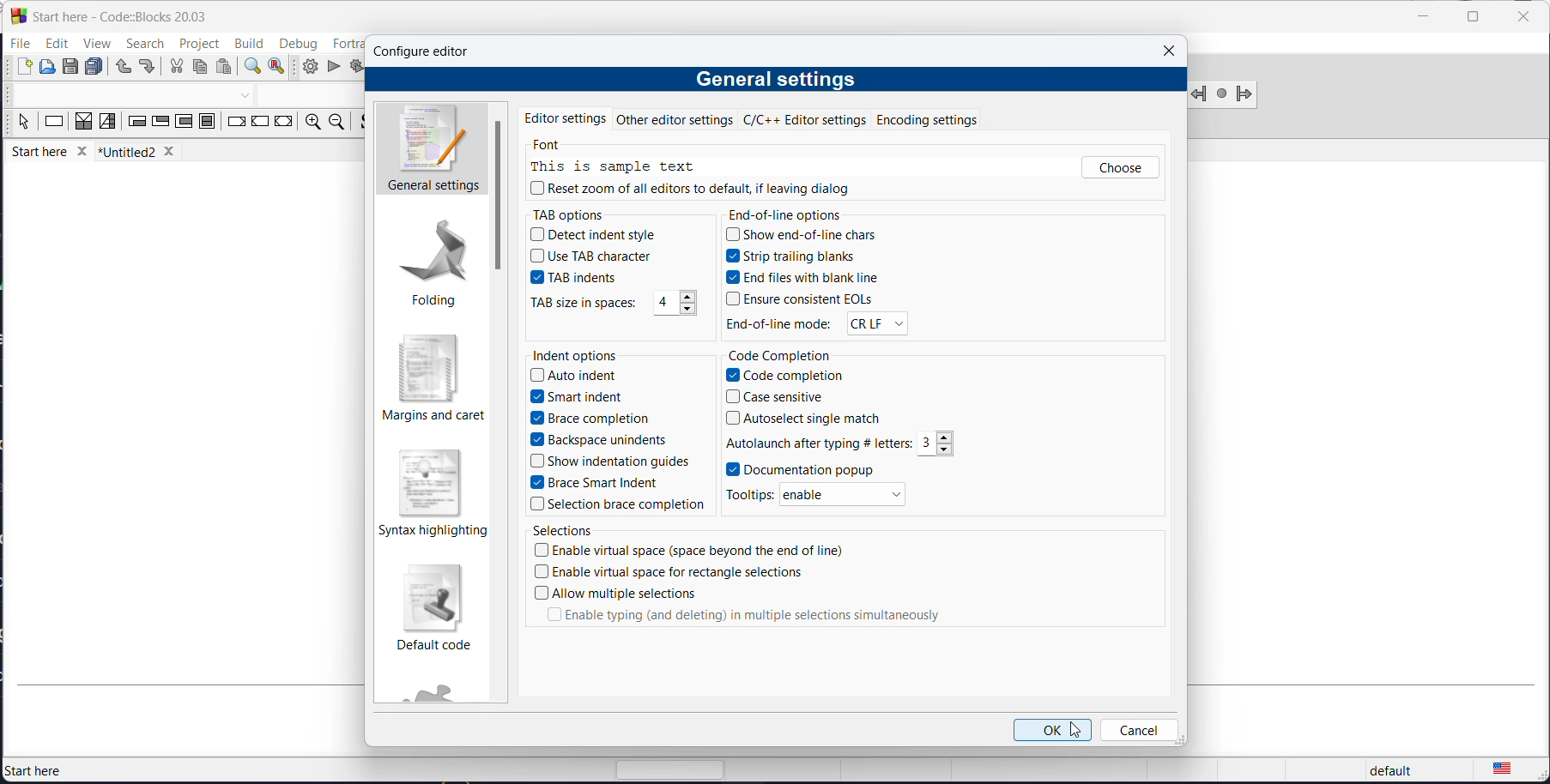 The image size is (1550, 784). Describe the element at coordinates (25, 70) in the screenshot. I see `new file` at that location.